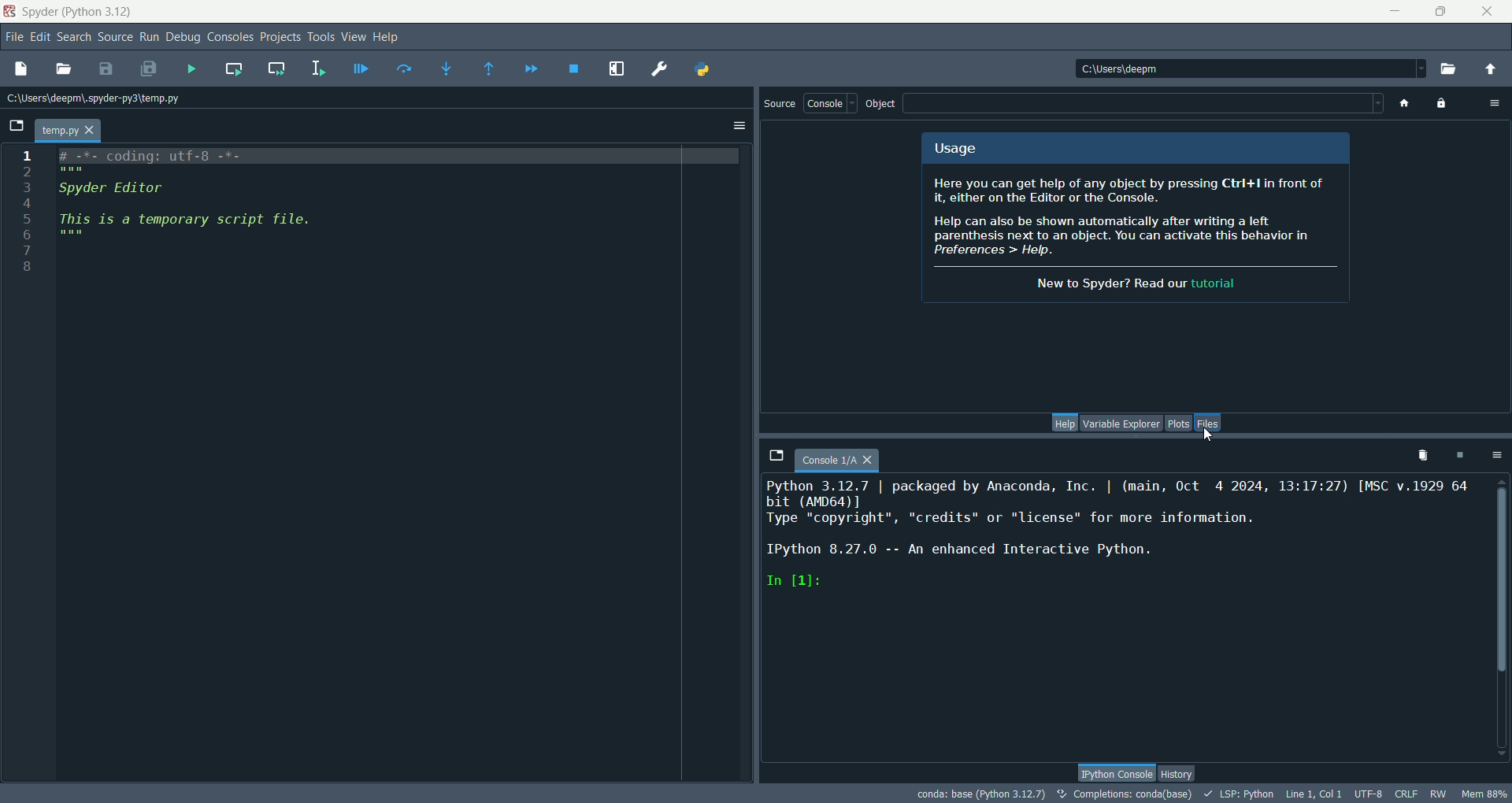 The height and width of the screenshot is (803, 1512). I want to click on options, so click(740, 125).